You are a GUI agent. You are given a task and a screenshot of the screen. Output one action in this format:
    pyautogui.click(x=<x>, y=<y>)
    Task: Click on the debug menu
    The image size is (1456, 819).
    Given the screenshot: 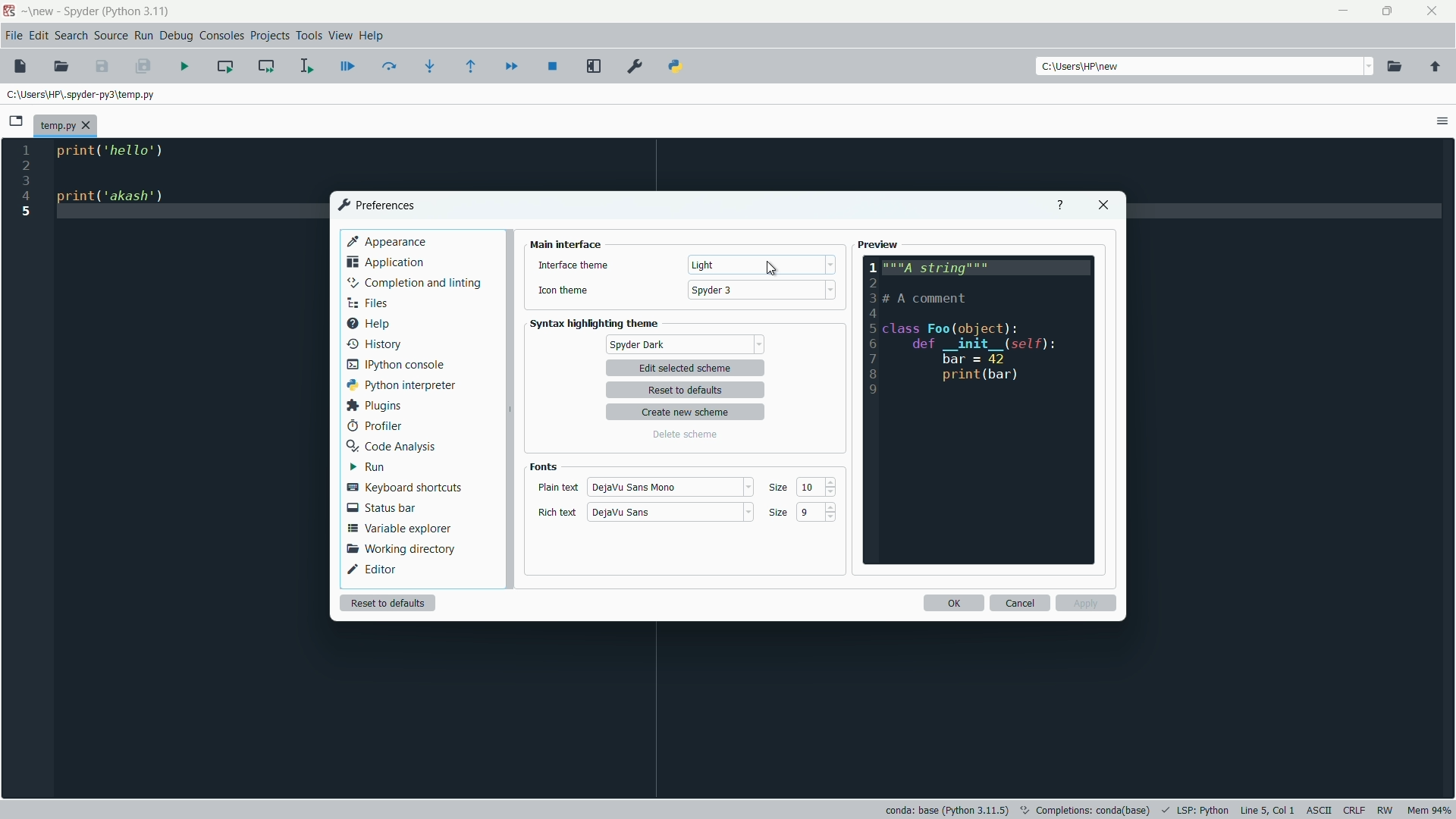 What is the action you would take?
    pyautogui.click(x=176, y=35)
    